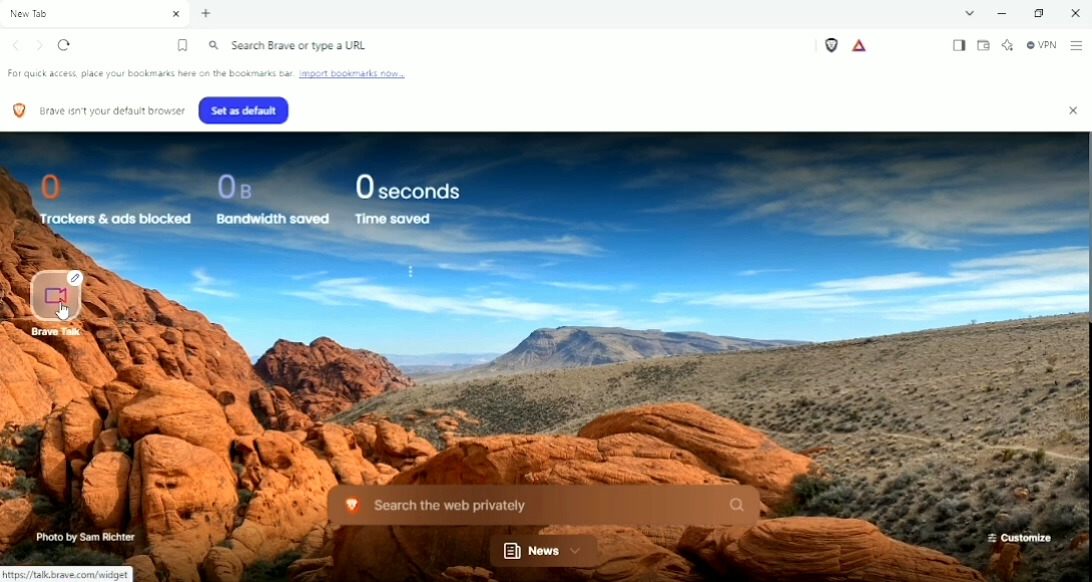  Describe the element at coordinates (207, 14) in the screenshot. I see `New Tab` at that location.